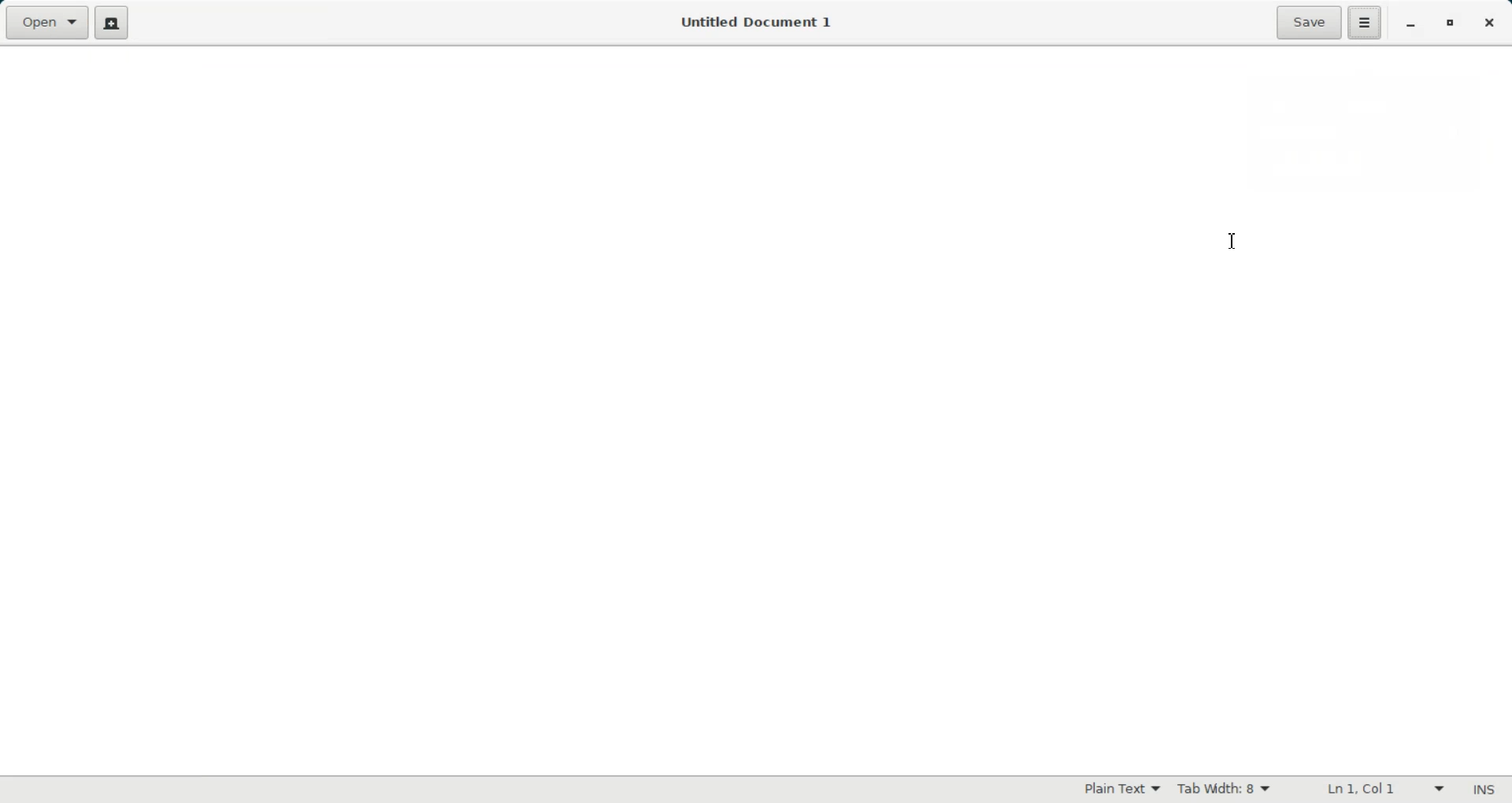 Image resolution: width=1512 pixels, height=803 pixels. I want to click on Text Cursor, so click(1234, 240).